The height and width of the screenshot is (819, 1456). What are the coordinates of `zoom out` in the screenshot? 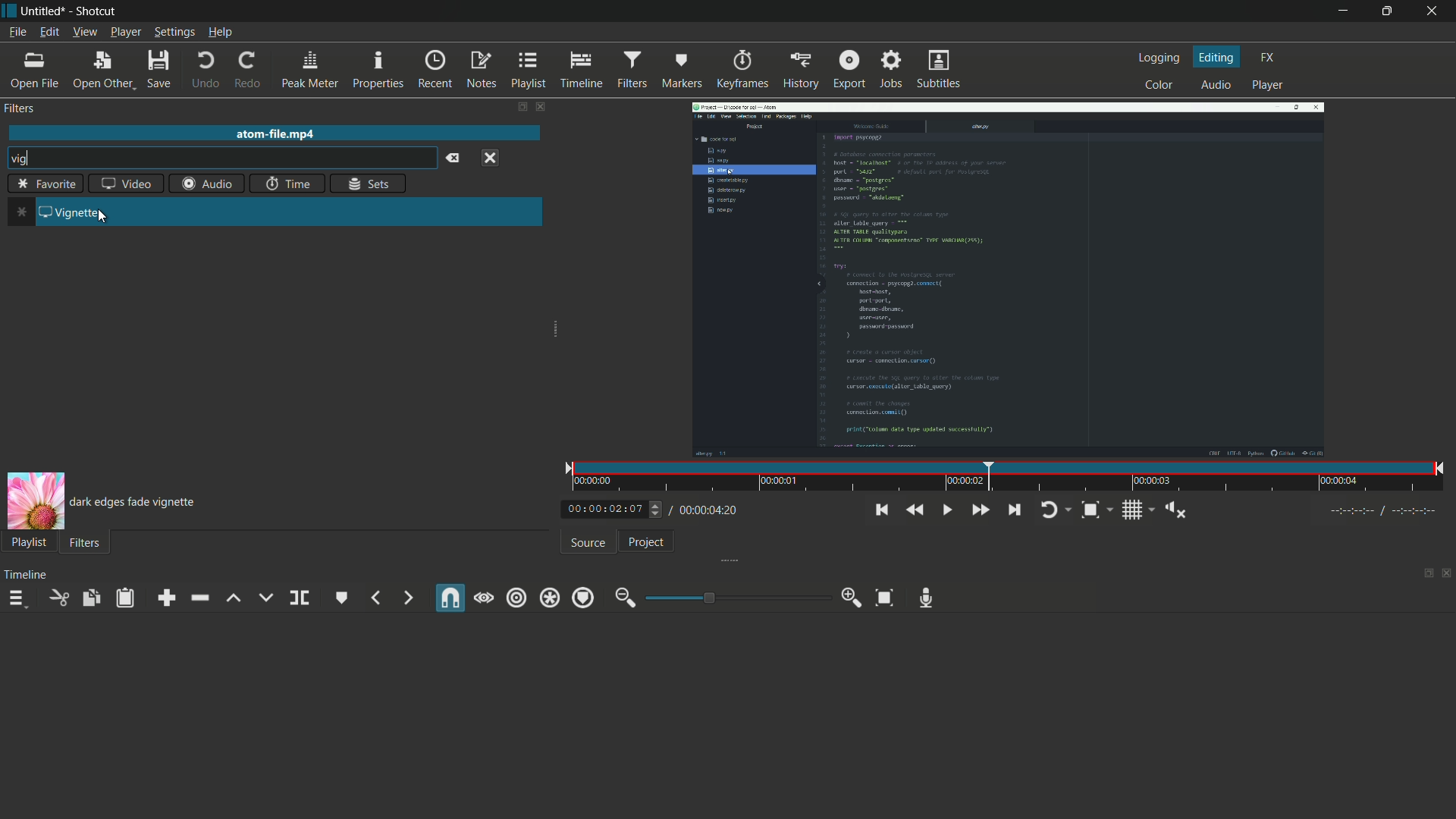 It's located at (626, 598).